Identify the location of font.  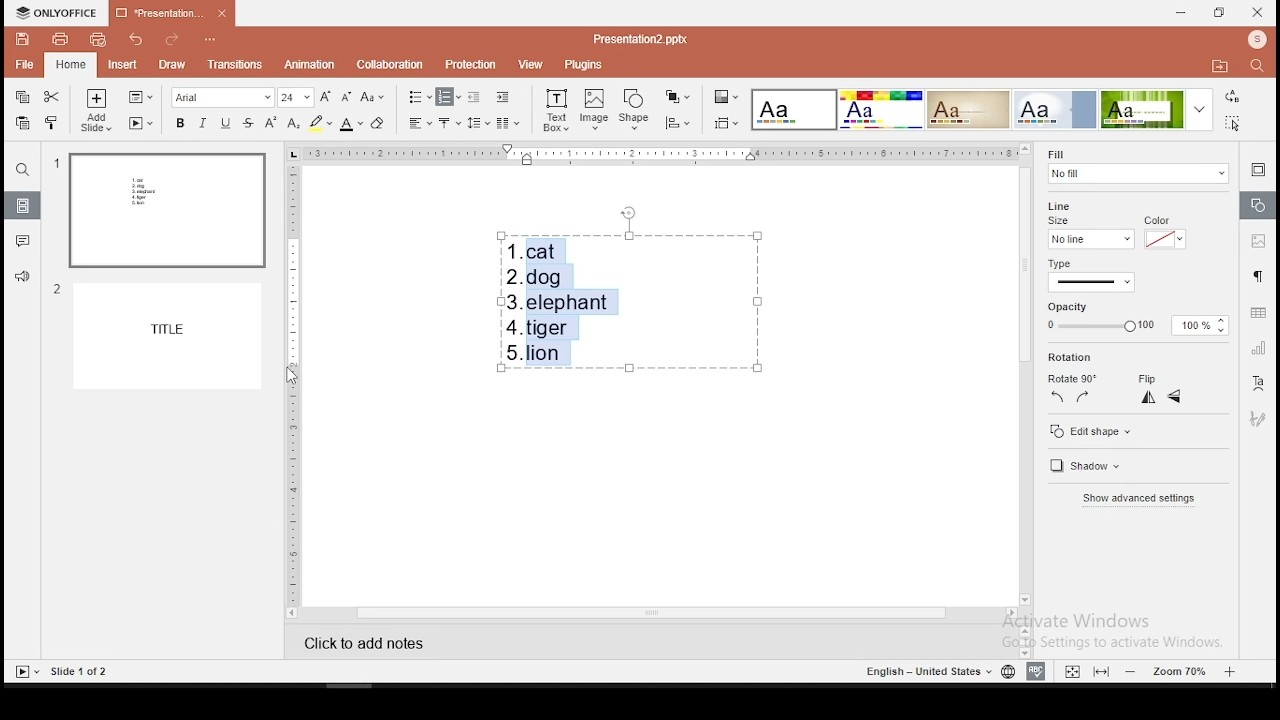
(220, 97).